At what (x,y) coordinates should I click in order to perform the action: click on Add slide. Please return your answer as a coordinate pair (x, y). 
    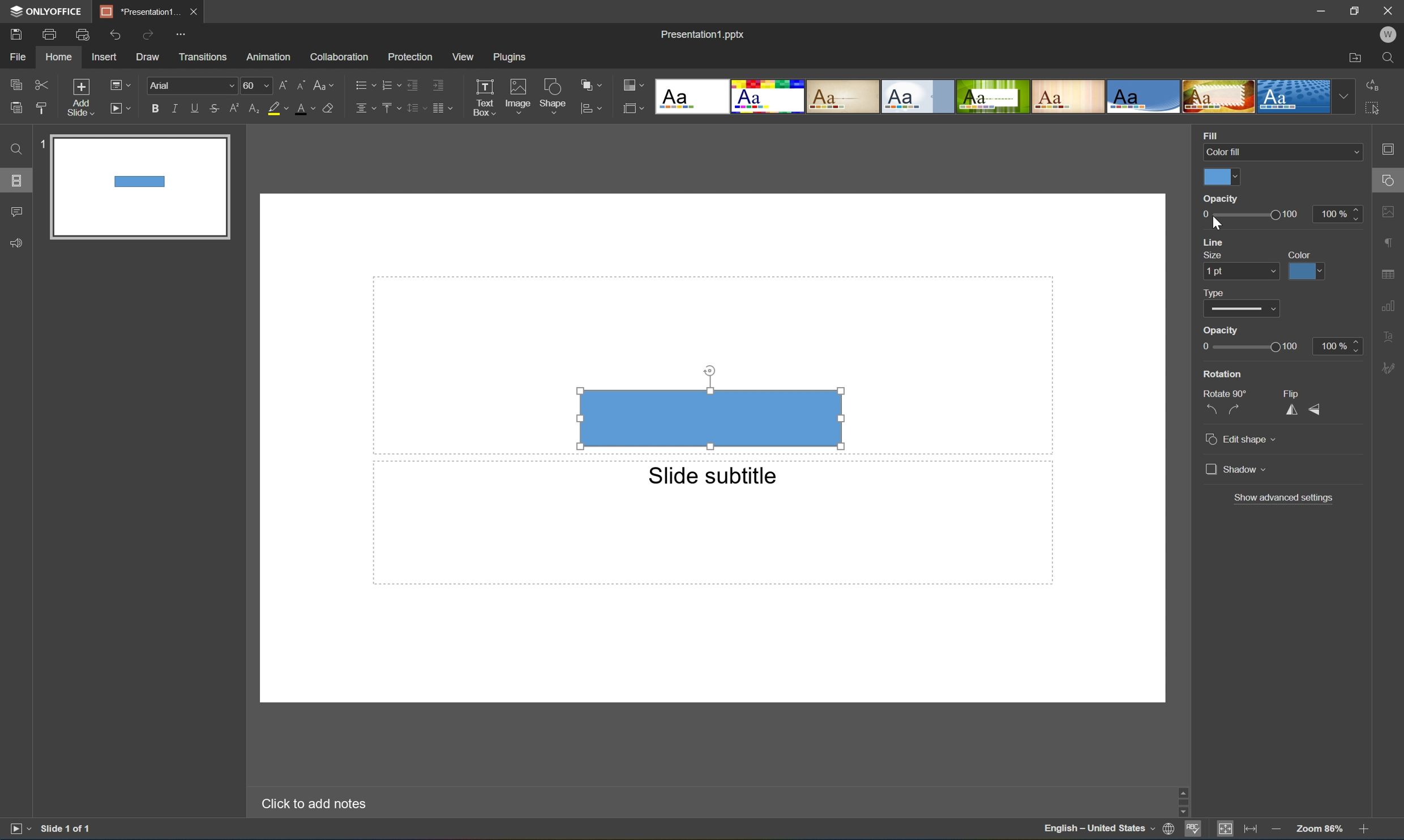
    Looking at the image, I should click on (78, 96).